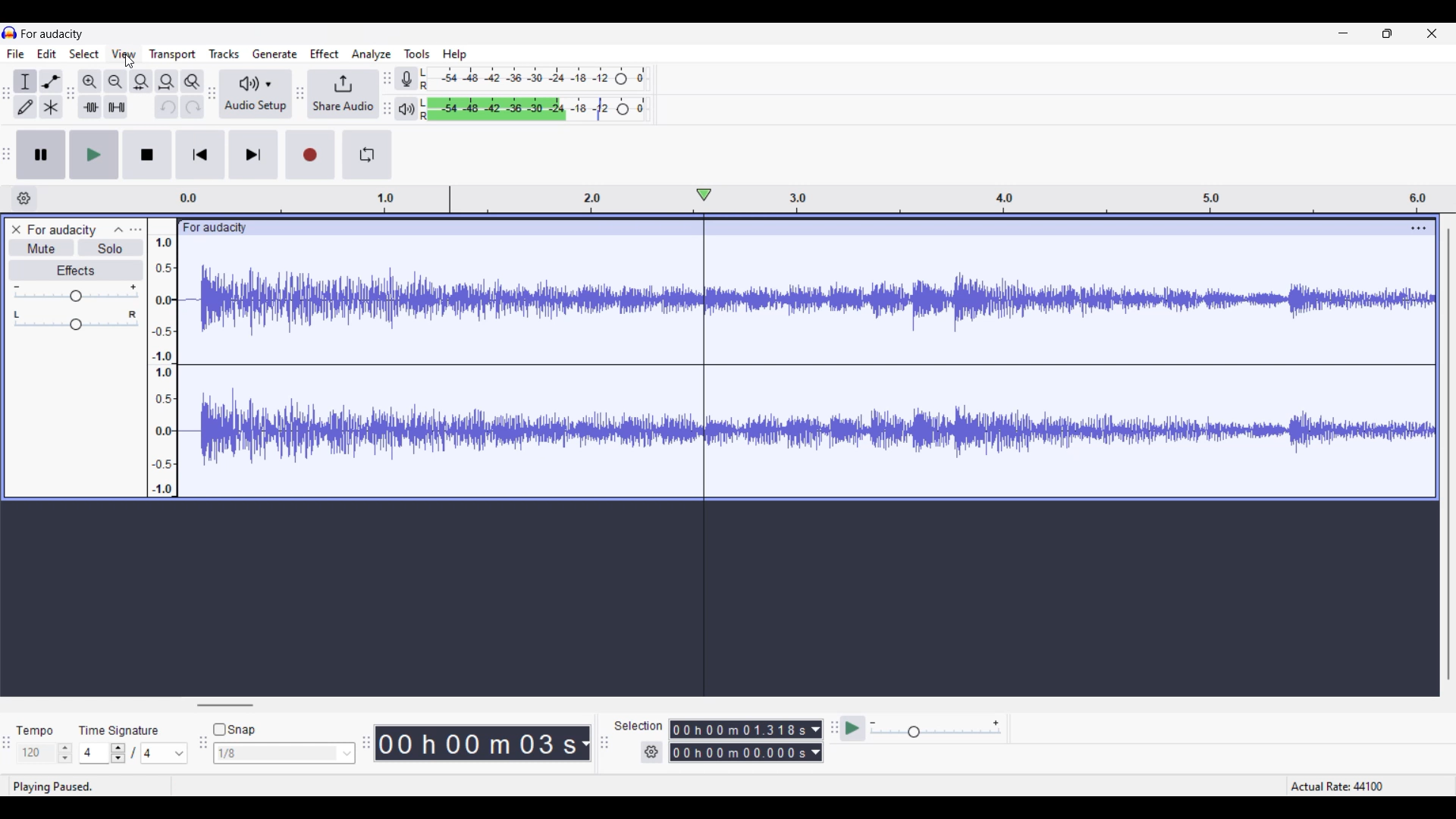 This screenshot has height=819, width=1456. I want to click on Status bar details, so click(727, 785).